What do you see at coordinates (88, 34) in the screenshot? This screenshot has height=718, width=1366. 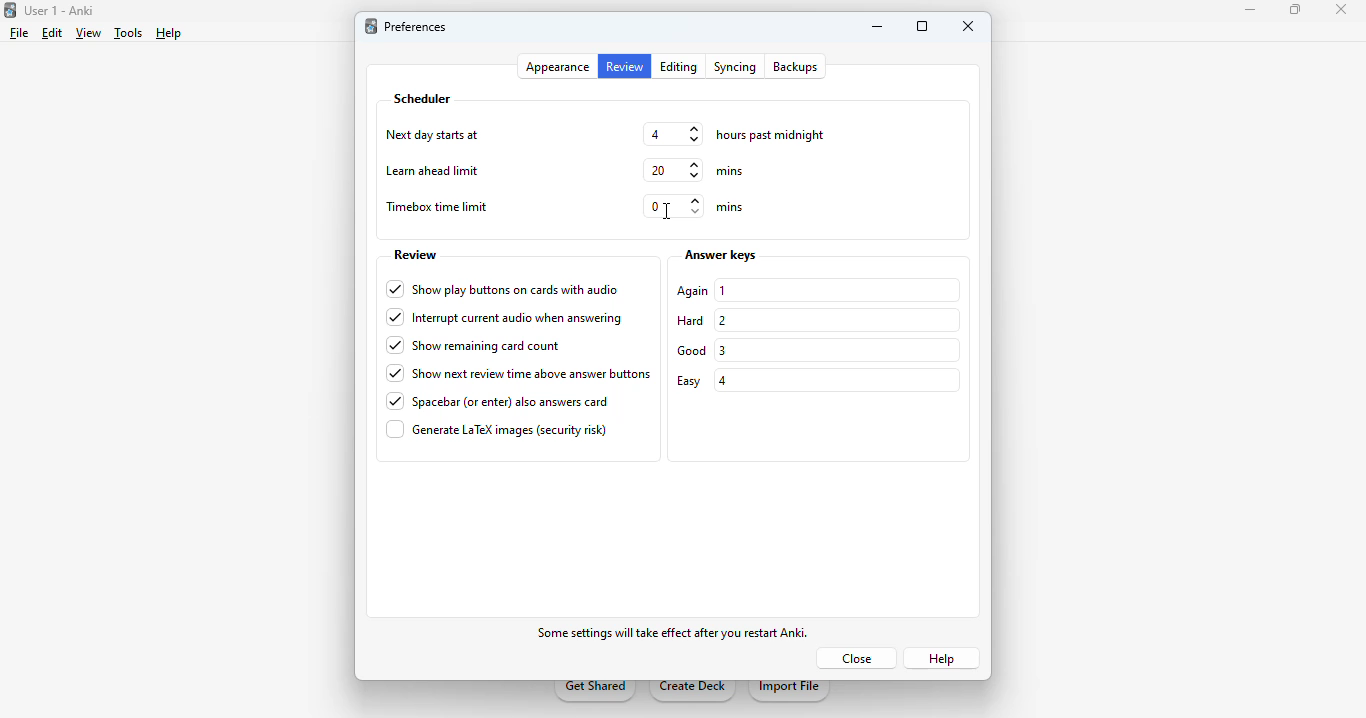 I see `view` at bounding box center [88, 34].